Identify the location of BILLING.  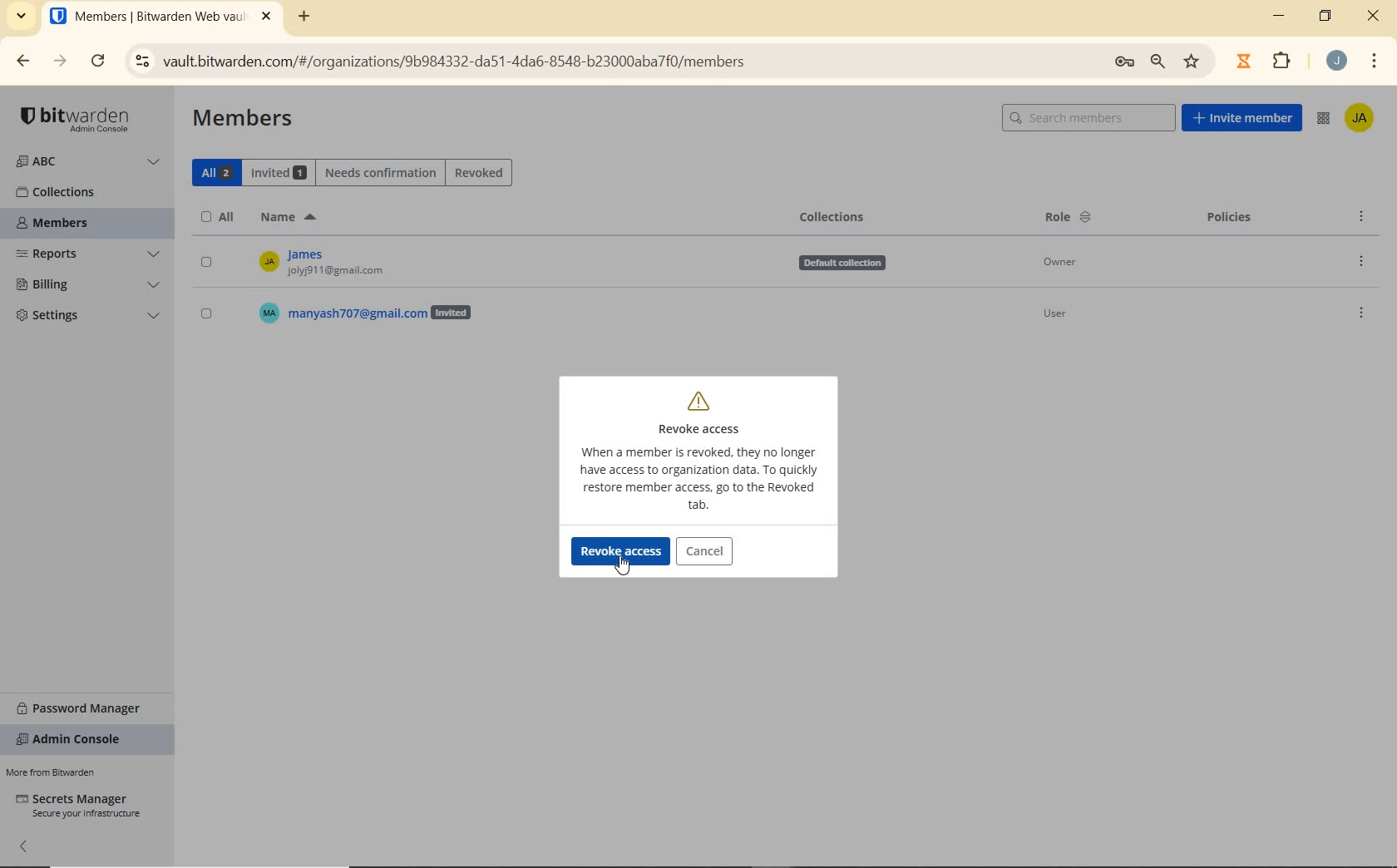
(89, 286).